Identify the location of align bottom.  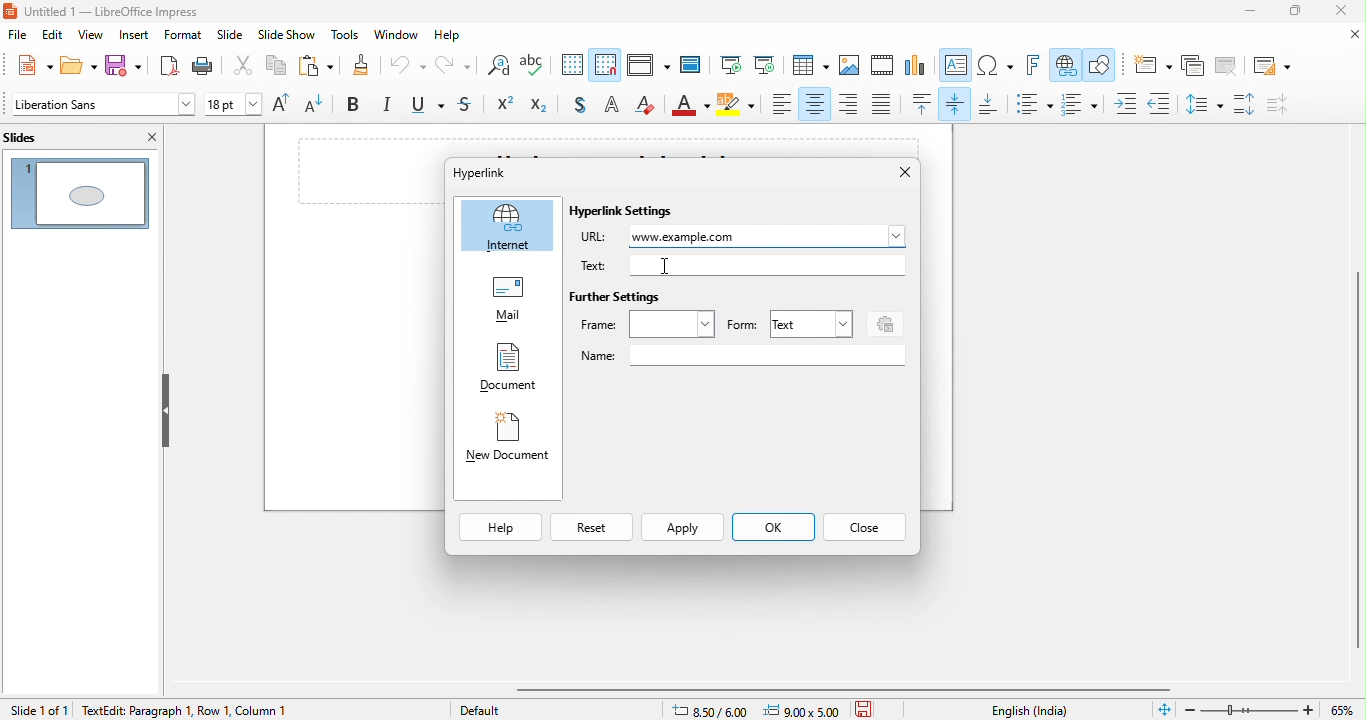
(989, 105).